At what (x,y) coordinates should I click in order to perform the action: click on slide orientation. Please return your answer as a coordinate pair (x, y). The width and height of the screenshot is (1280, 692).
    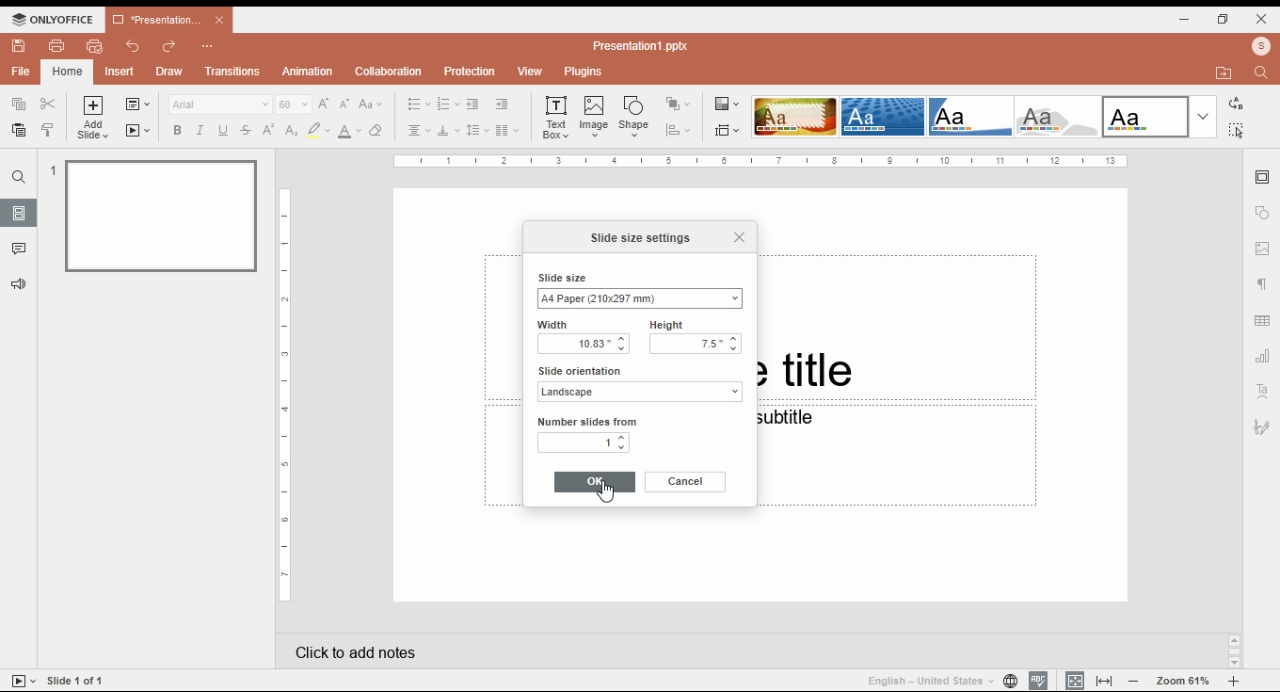
    Looking at the image, I should click on (634, 371).